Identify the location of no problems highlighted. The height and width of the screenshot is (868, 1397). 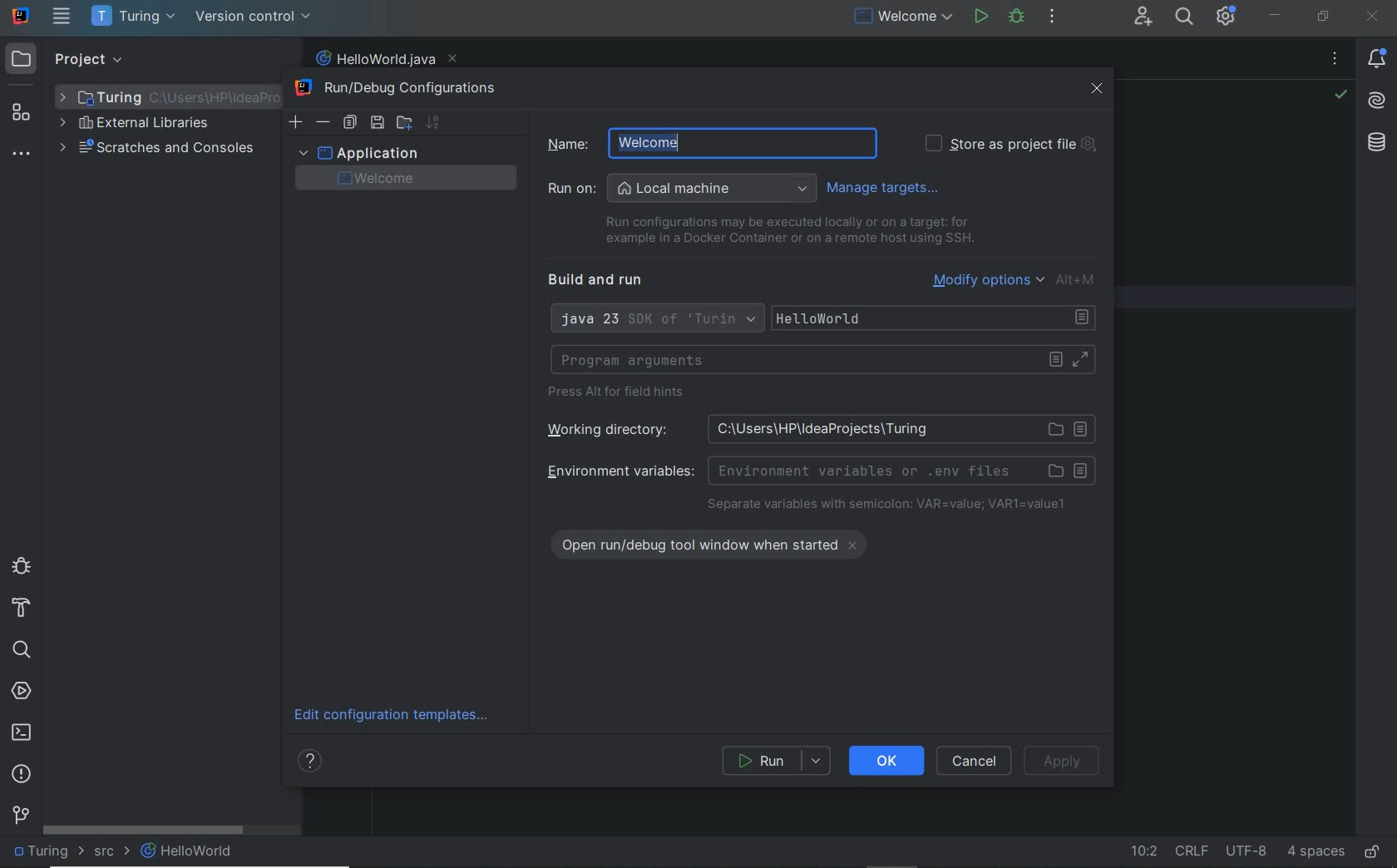
(1340, 95).